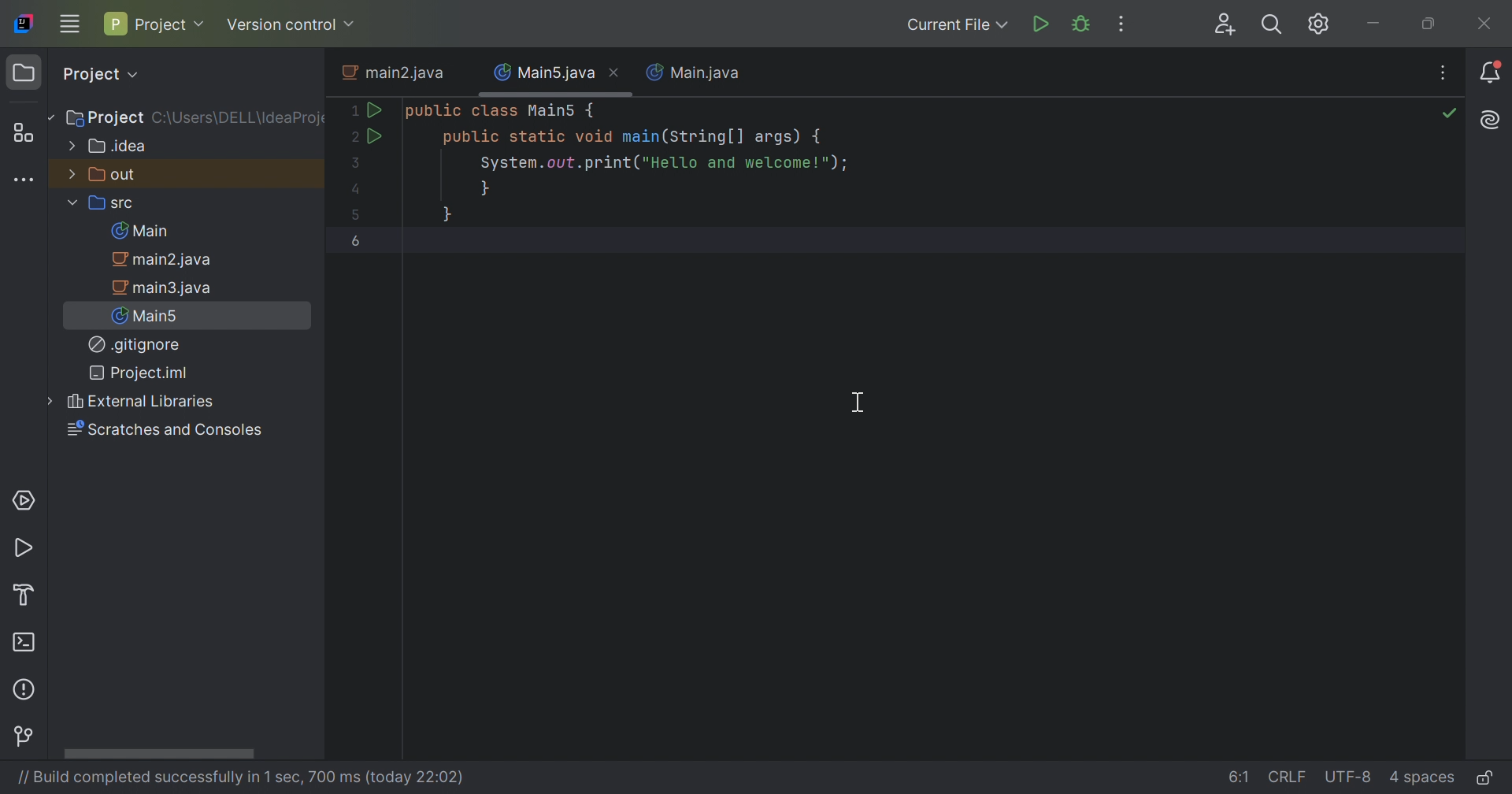 Image resolution: width=1512 pixels, height=794 pixels. What do you see at coordinates (1118, 24) in the screenshot?
I see `More Actions` at bounding box center [1118, 24].